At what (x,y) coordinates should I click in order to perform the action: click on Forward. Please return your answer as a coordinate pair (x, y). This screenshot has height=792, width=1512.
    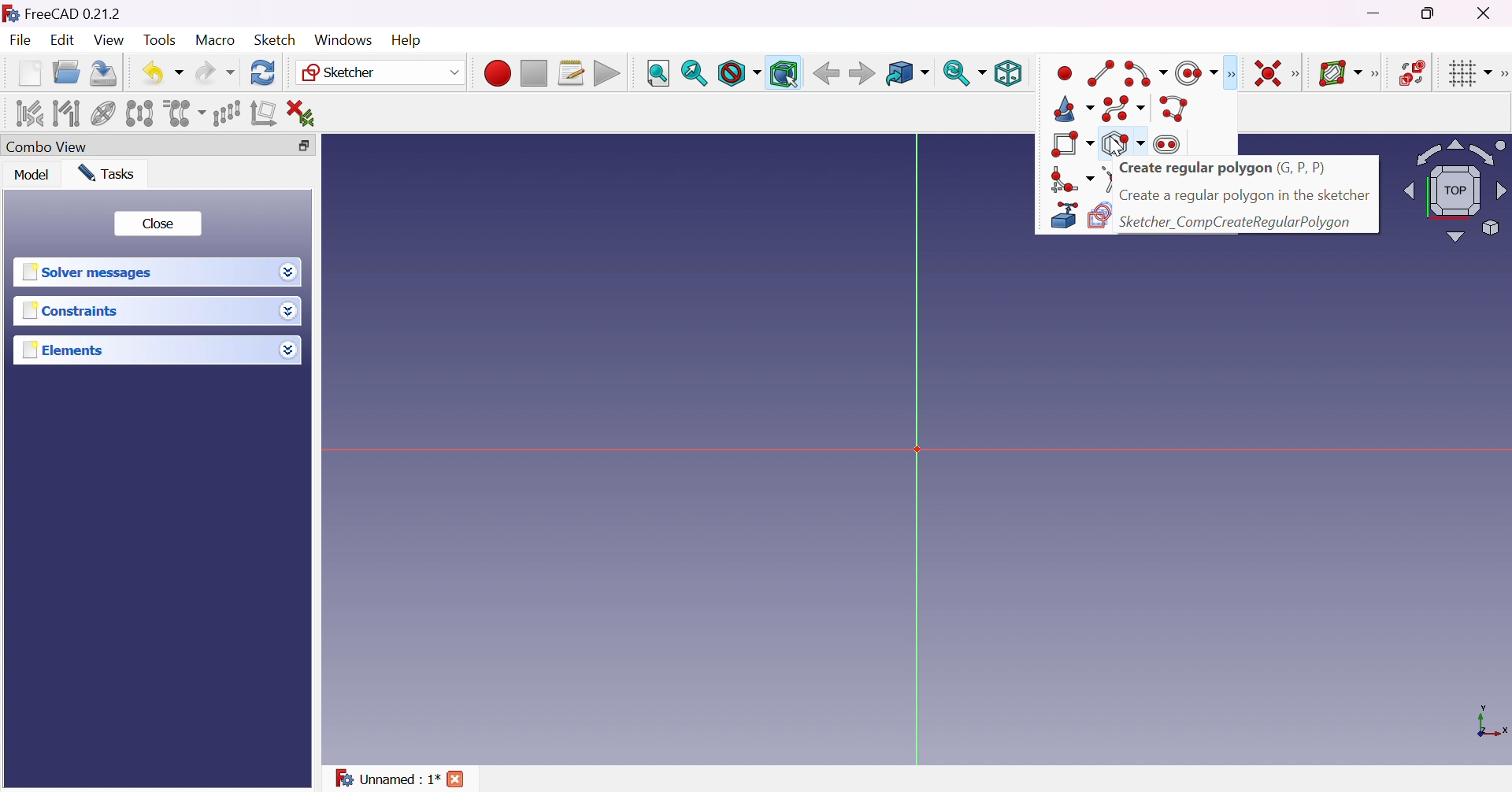
    Looking at the image, I should click on (863, 72).